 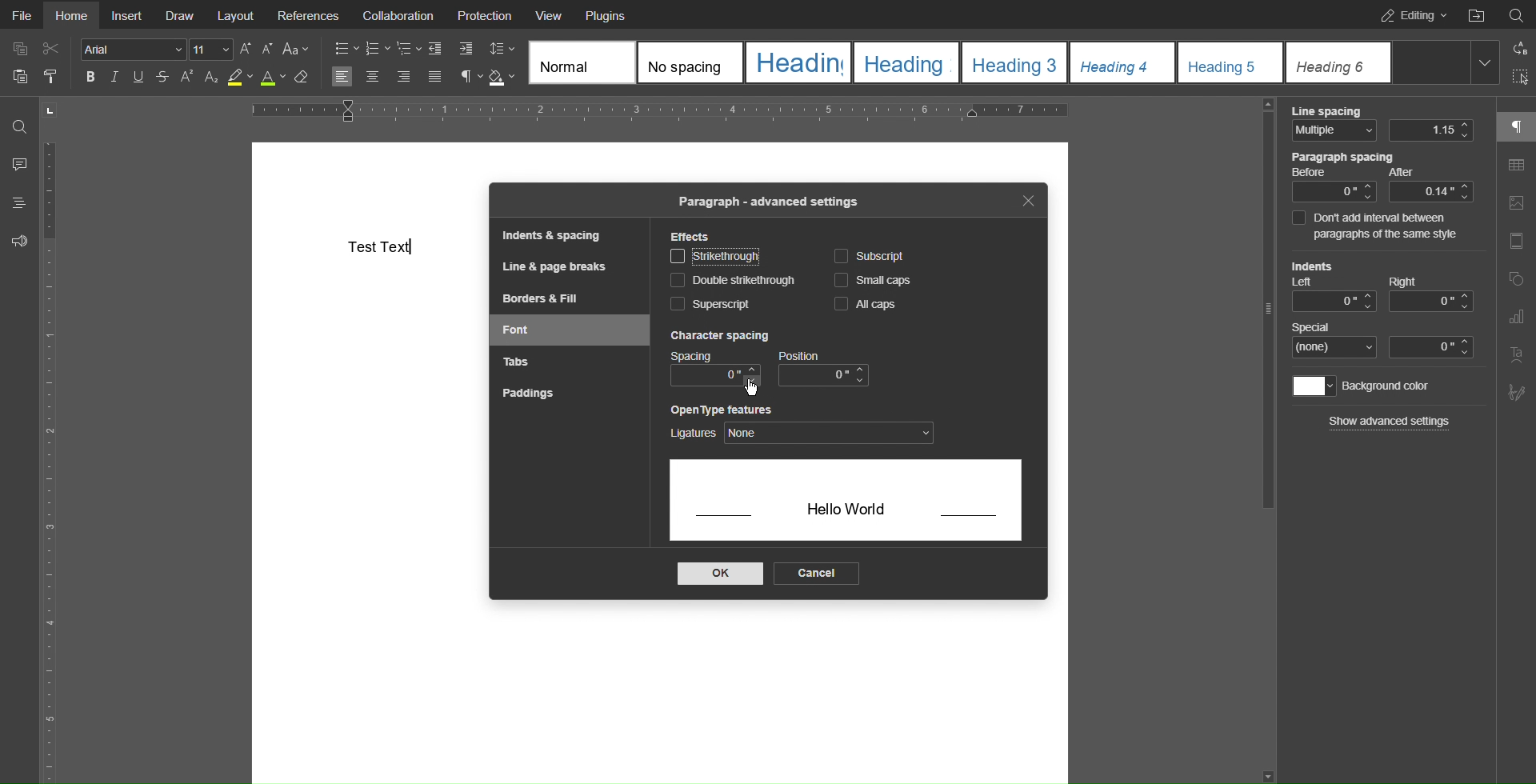 What do you see at coordinates (377, 50) in the screenshot?
I see `Numbered List` at bounding box center [377, 50].